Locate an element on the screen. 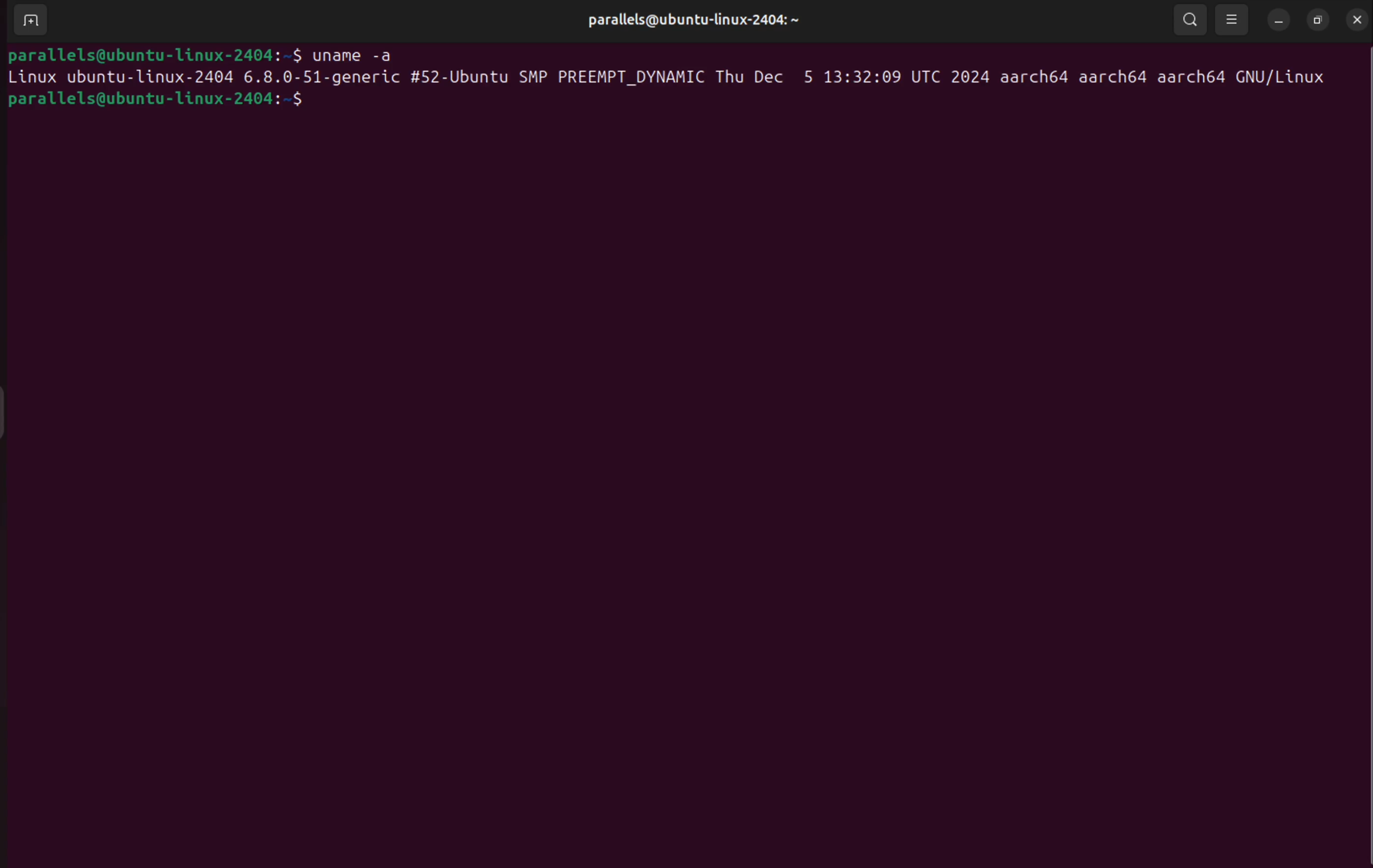 The height and width of the screenshot is (868, 1373). minimize is located at coordinates (1279, 20).